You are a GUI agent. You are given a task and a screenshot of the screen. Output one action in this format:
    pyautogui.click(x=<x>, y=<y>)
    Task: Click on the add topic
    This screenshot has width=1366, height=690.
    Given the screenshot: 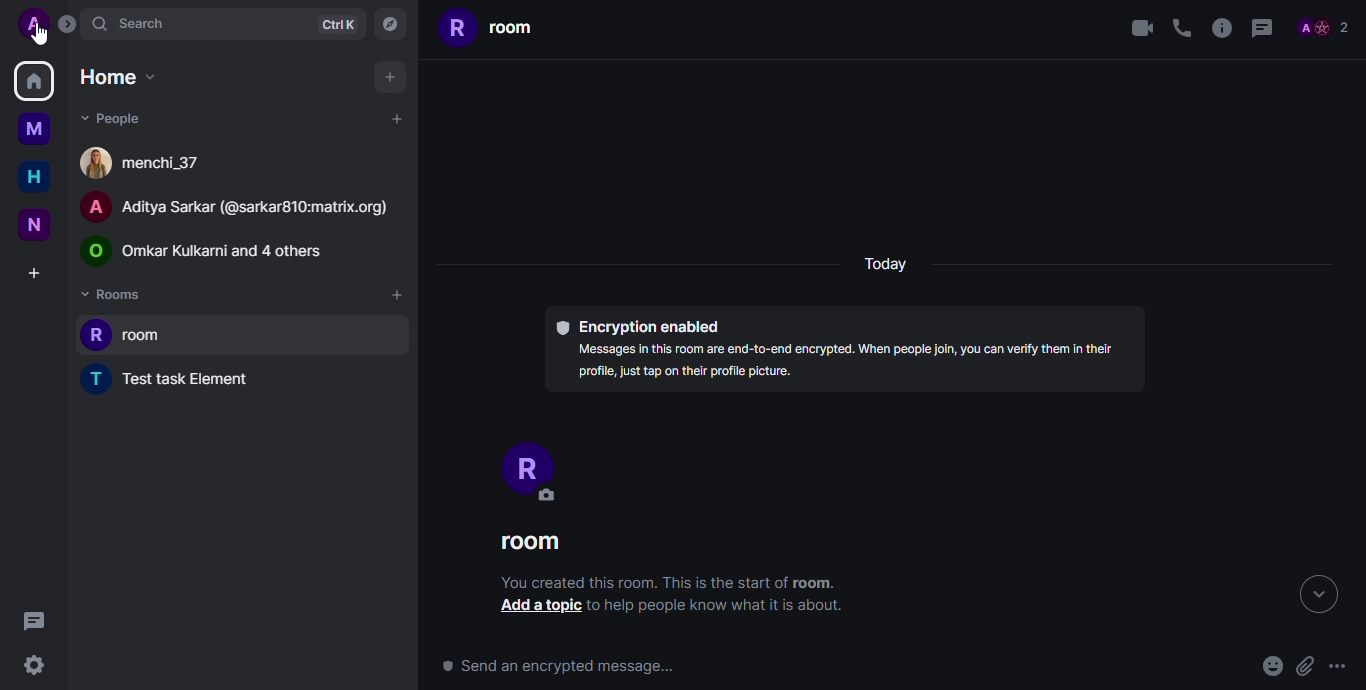 What is the action you would take?
    pyautogui.click(x=535, y=608)
    